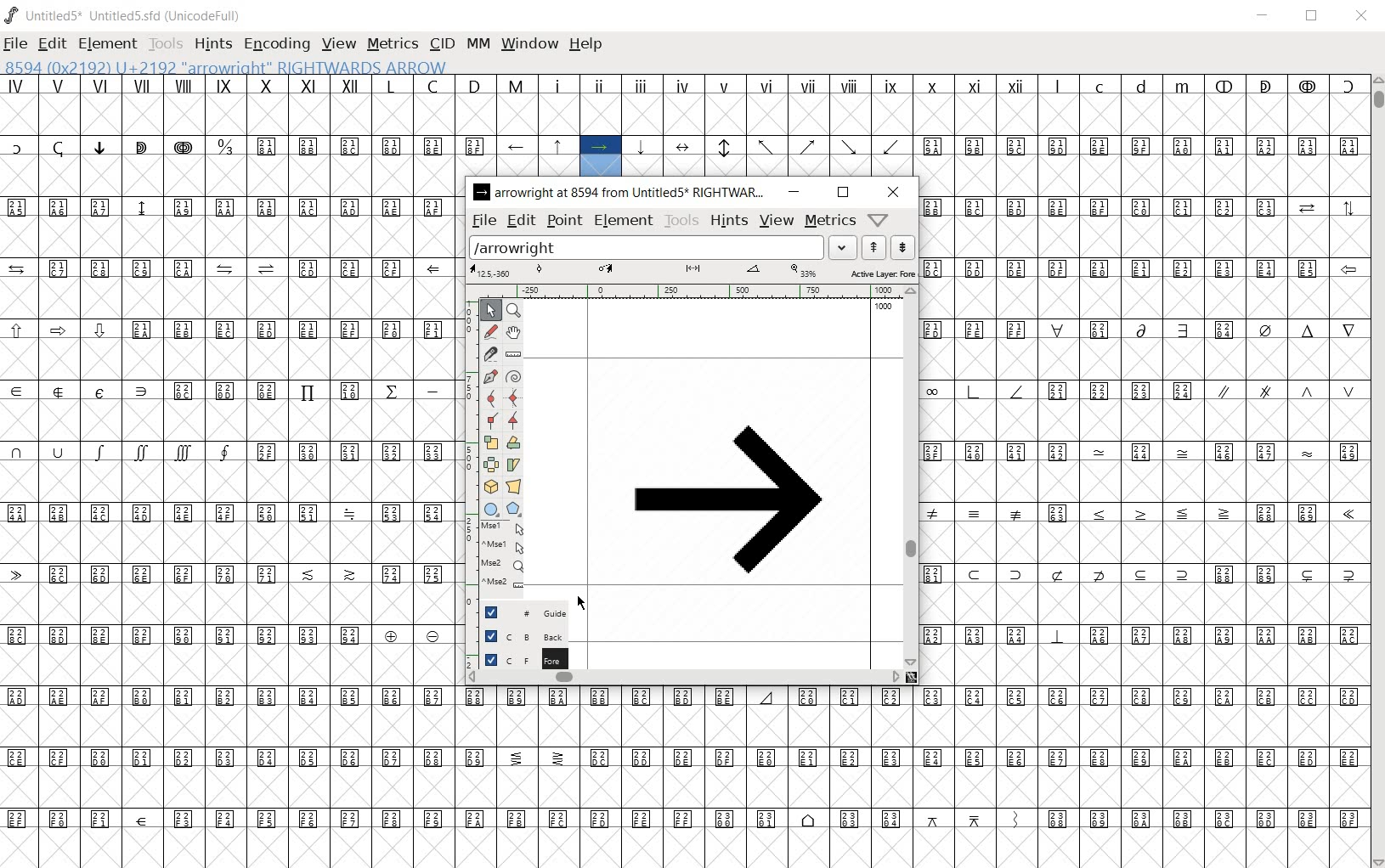  I want to click on perform a perspective transformation on the selection, so click(514, 487).